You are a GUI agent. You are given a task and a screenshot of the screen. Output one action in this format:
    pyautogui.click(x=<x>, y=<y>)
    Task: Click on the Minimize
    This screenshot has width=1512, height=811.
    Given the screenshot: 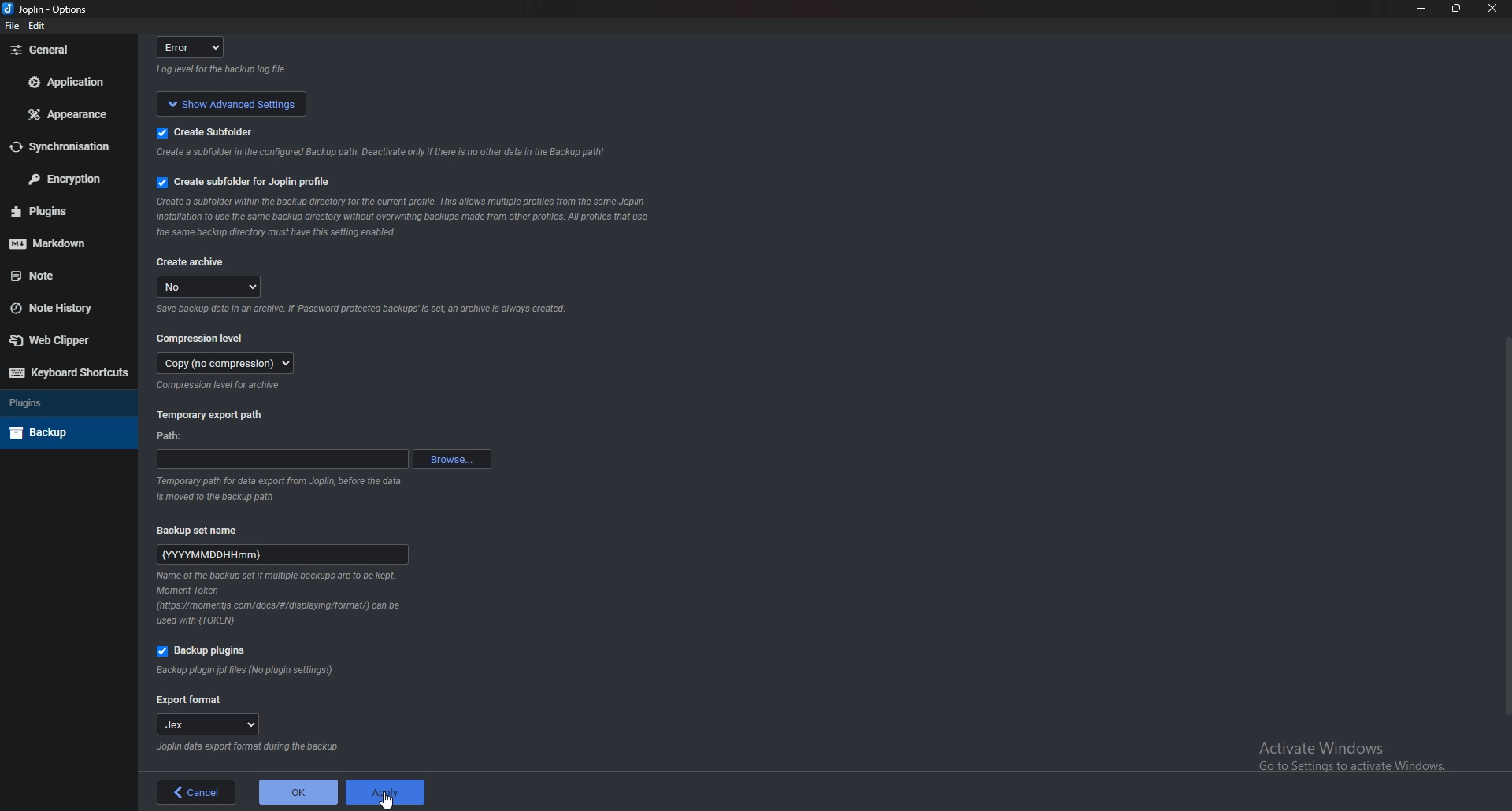 What is the action you would take?
    pyautogui.click(x=1423, y=8)
    